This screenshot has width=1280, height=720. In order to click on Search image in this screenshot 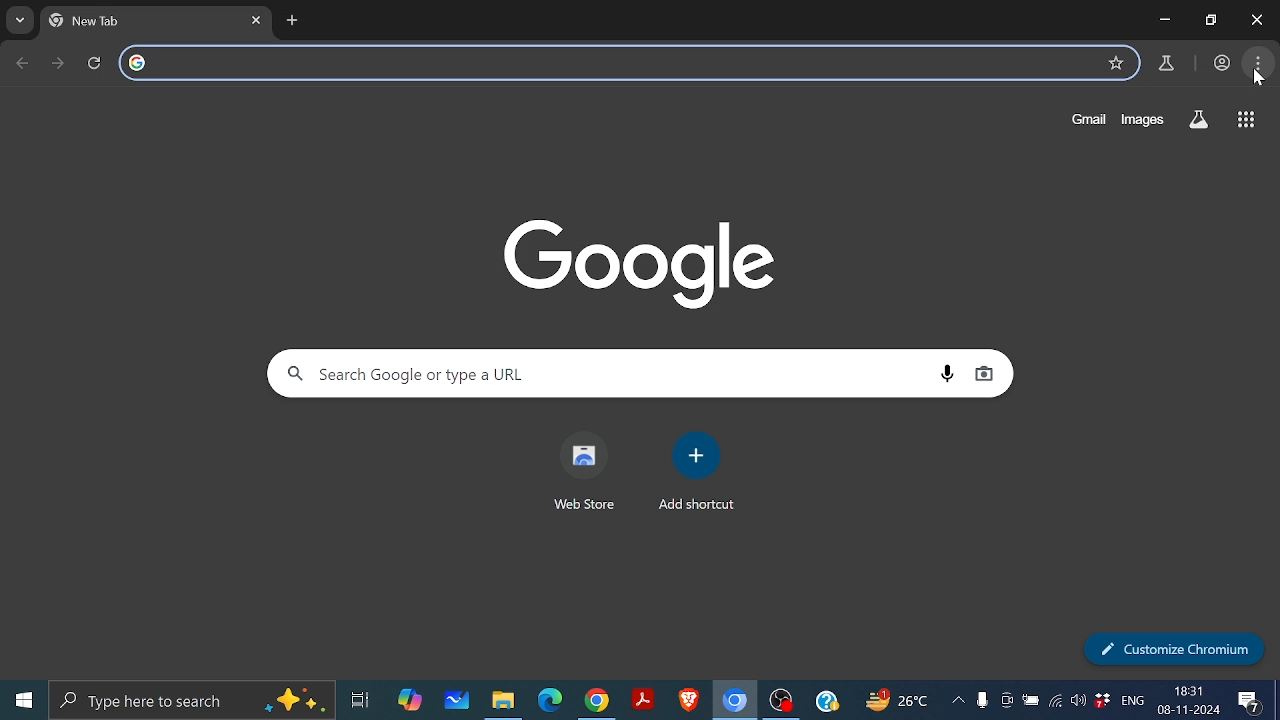, I will do `click(984, 374)`.